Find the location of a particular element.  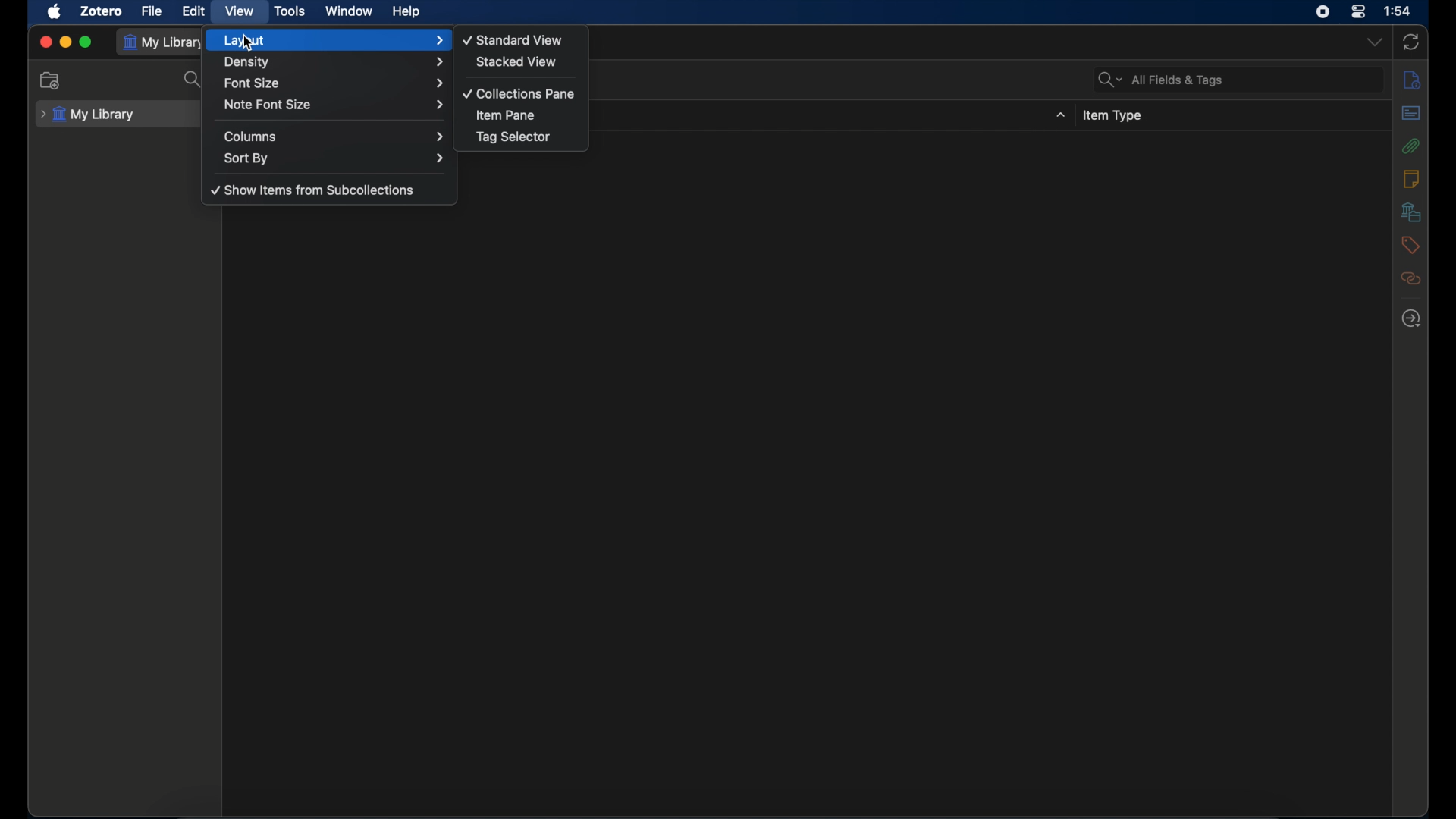

help is located at coordinates (406, 12).